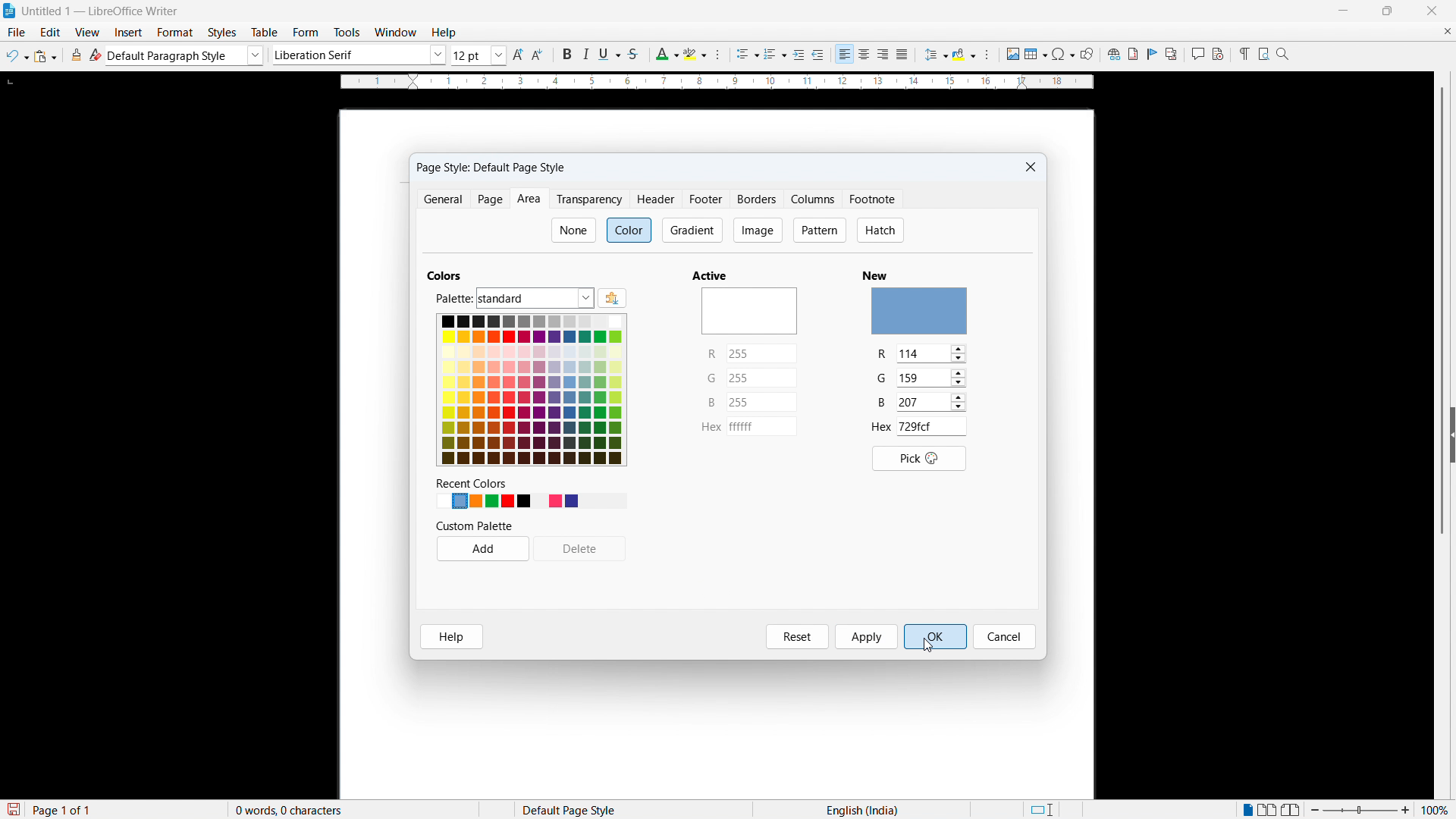 This screenshot has height=819, width=1456. I want to click on B, so click(880, 403).